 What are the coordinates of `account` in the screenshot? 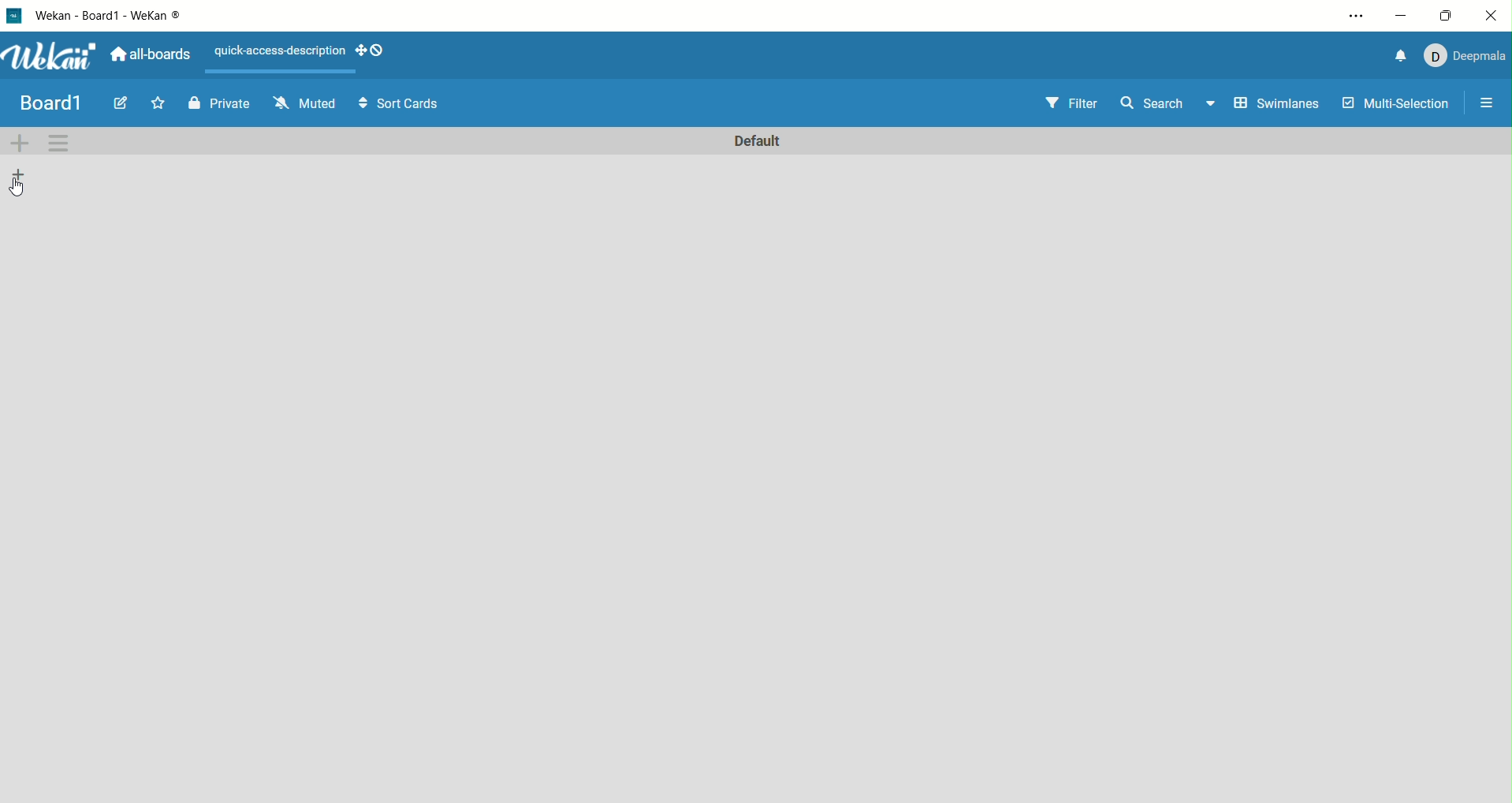 It's located at (1469, 57).